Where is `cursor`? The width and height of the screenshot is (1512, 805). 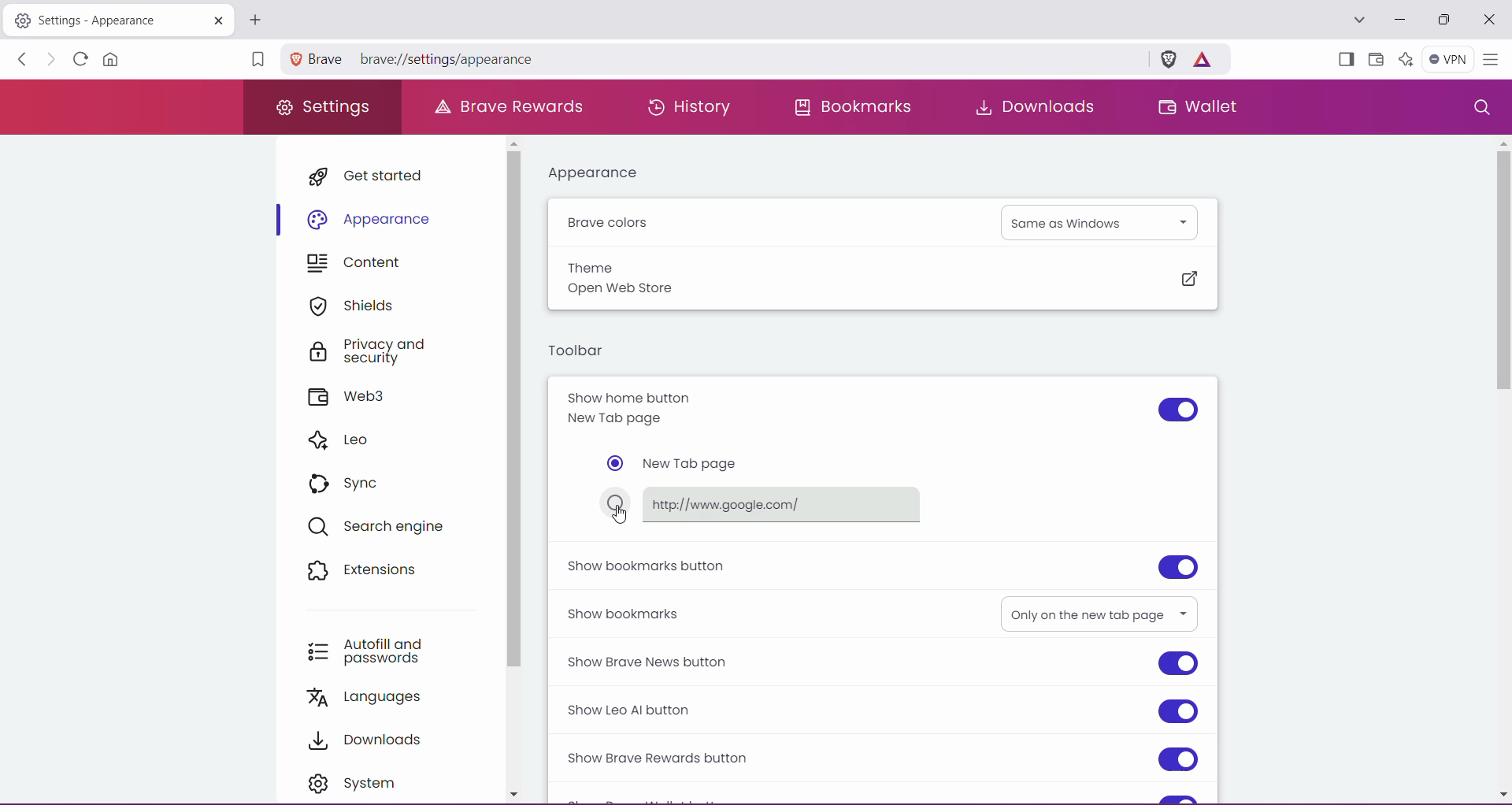
cursor is located at coordinates (621, 517).